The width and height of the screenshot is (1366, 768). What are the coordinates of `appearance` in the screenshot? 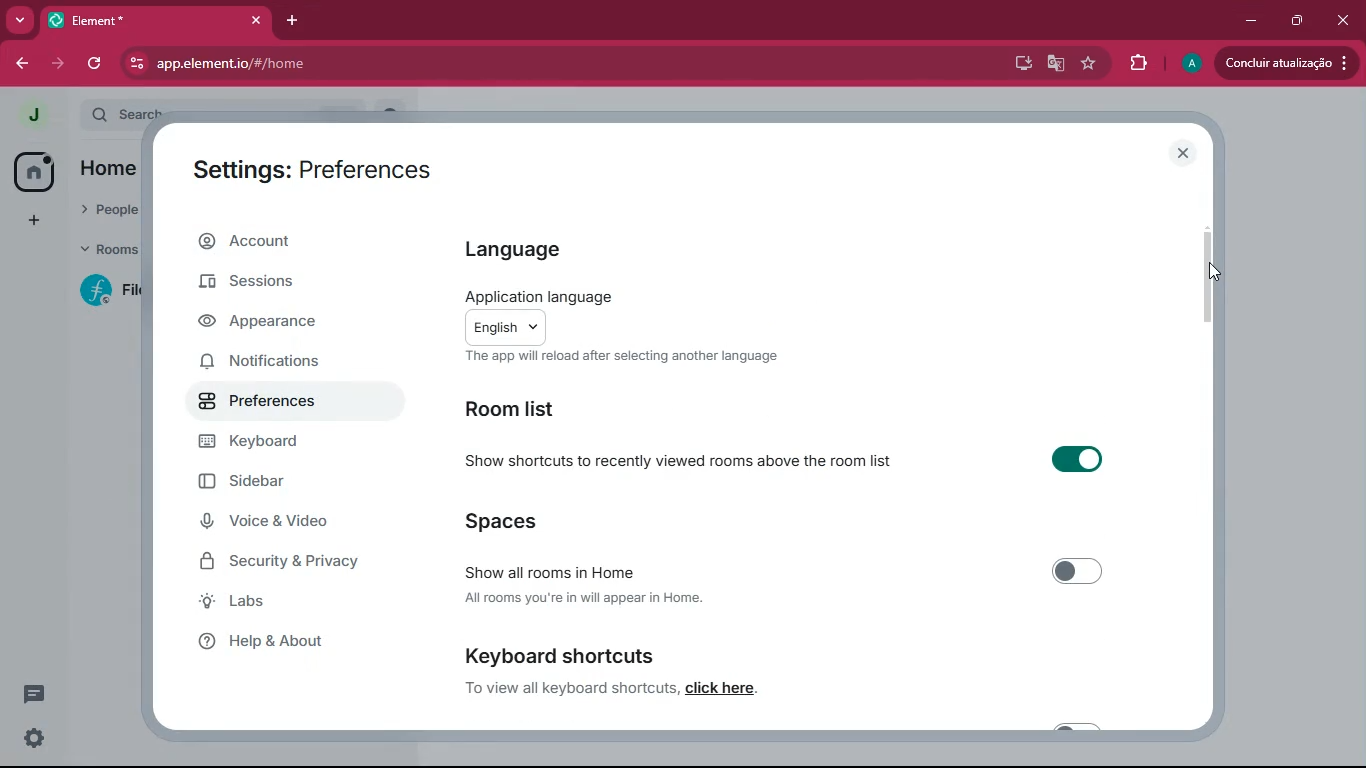 It's located at (283, 324).